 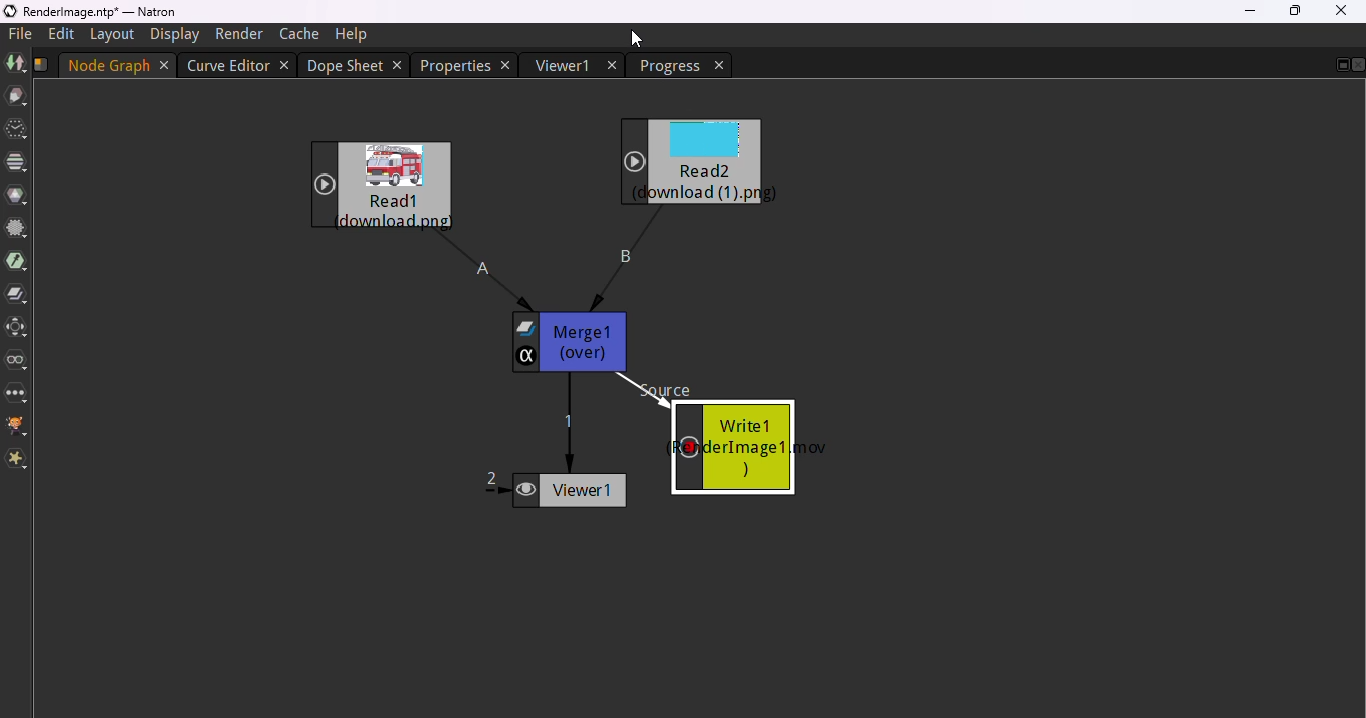 I want to click on close tab, so click(x=165, y=65).